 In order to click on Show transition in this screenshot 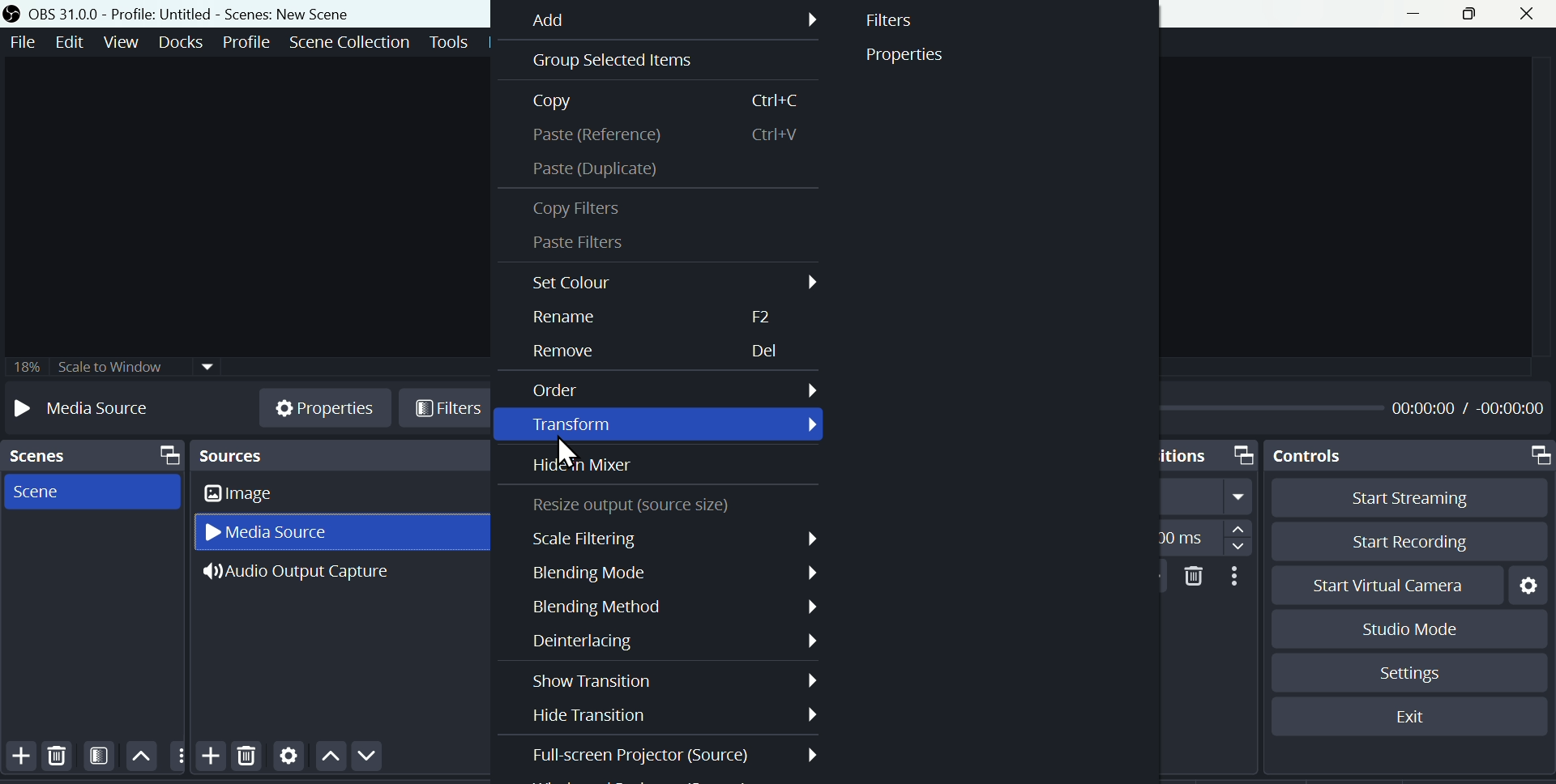, I will do `click(676, 680)`.